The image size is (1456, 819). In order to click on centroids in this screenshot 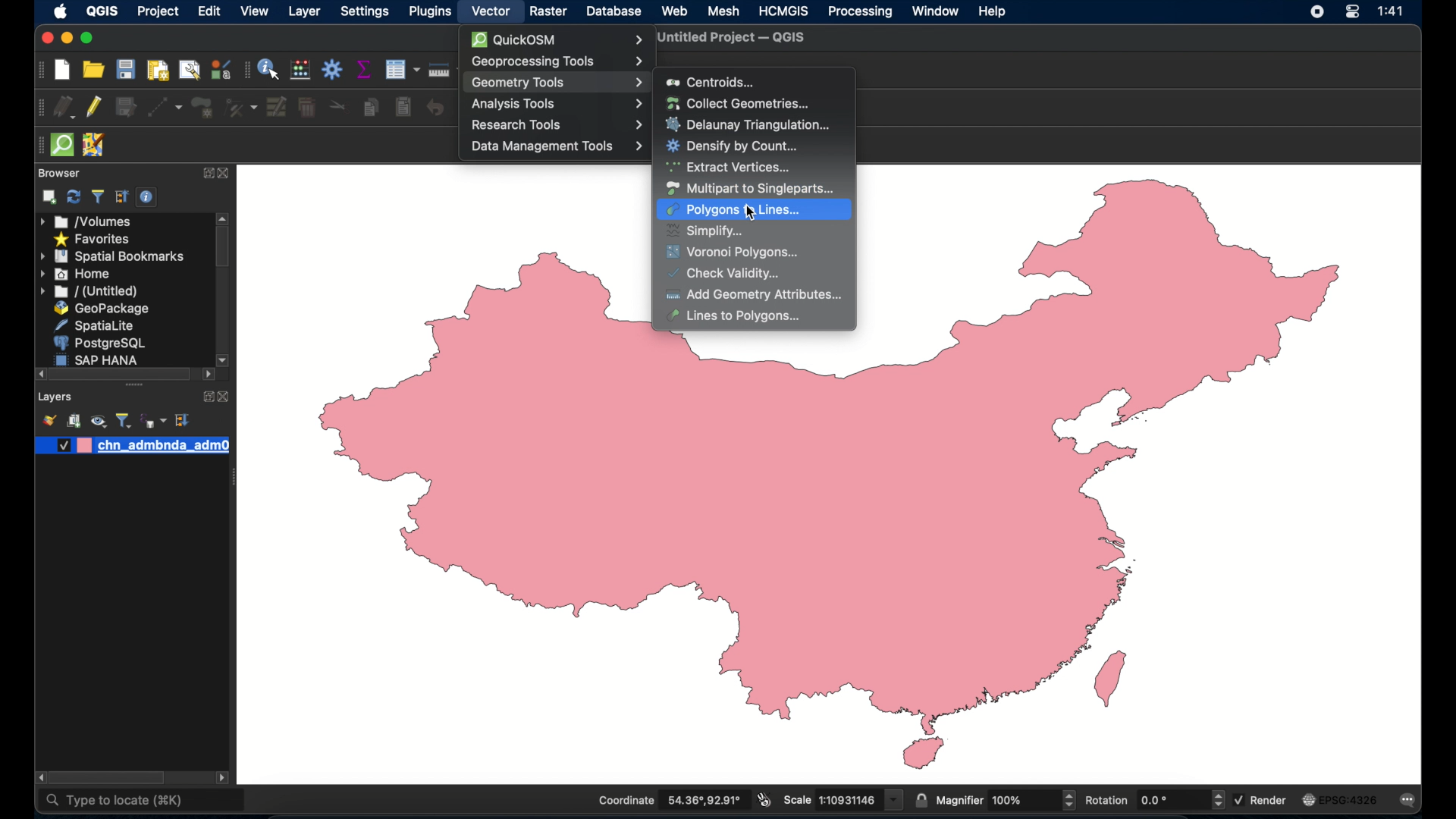, I will do `click(711, 82)`.